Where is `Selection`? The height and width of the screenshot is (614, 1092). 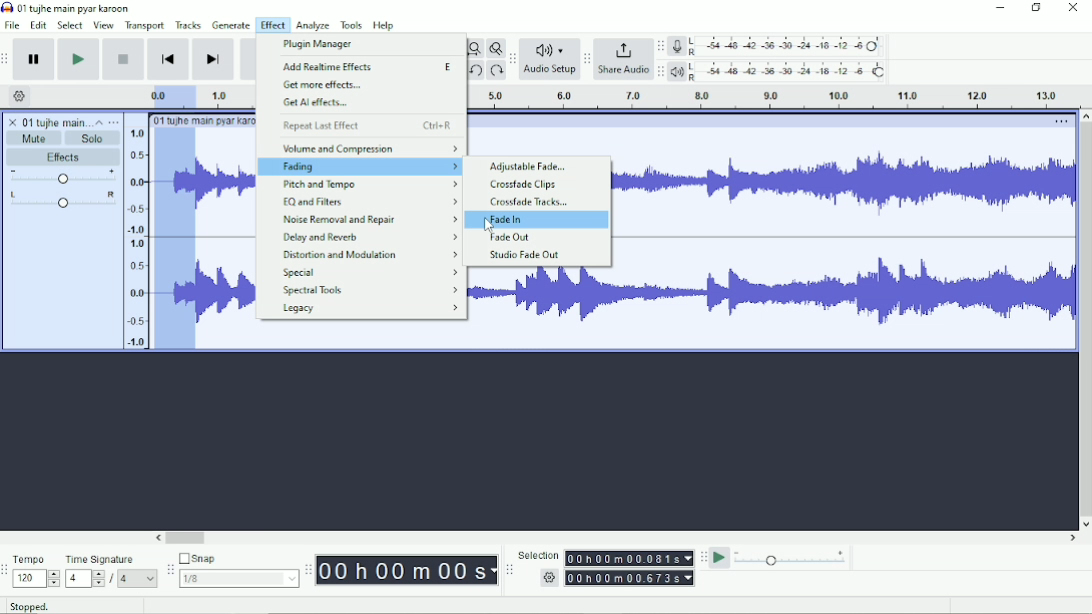 Selection is located at coordinates (538, 555).